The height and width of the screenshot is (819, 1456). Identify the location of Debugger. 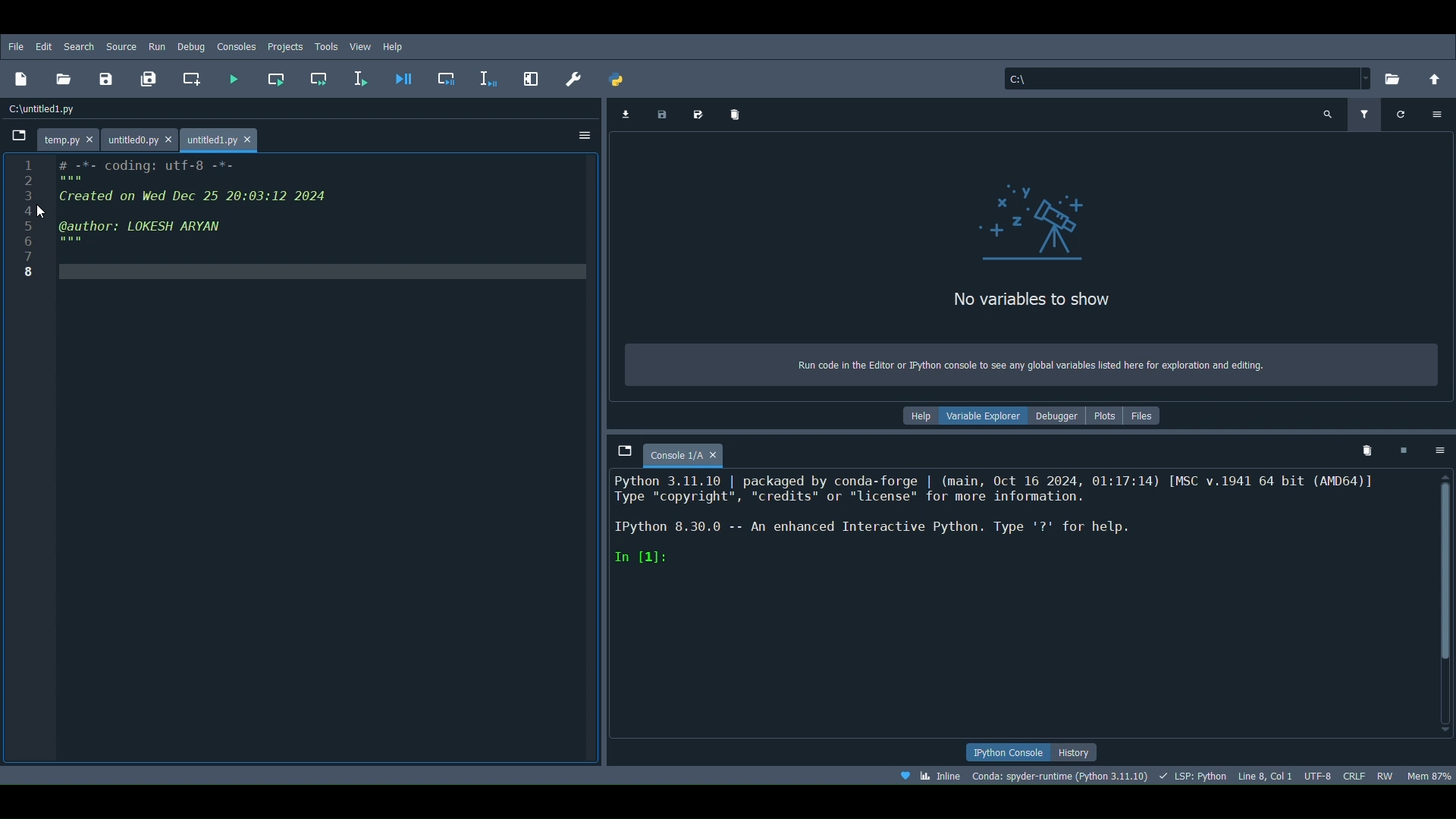
(1056, 416).